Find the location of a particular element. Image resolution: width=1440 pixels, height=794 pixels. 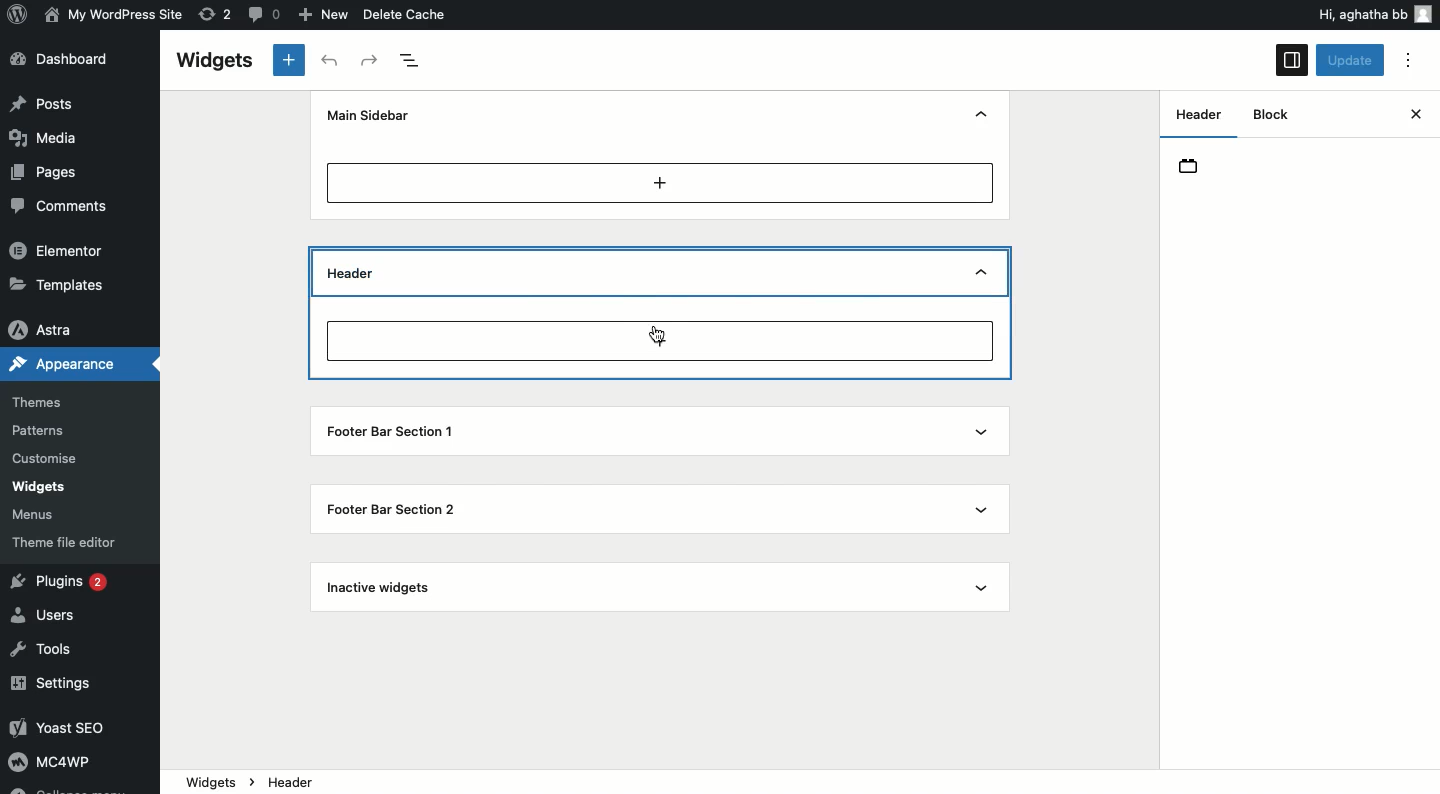

Yoast SEO is located at coordinates (67, 727).